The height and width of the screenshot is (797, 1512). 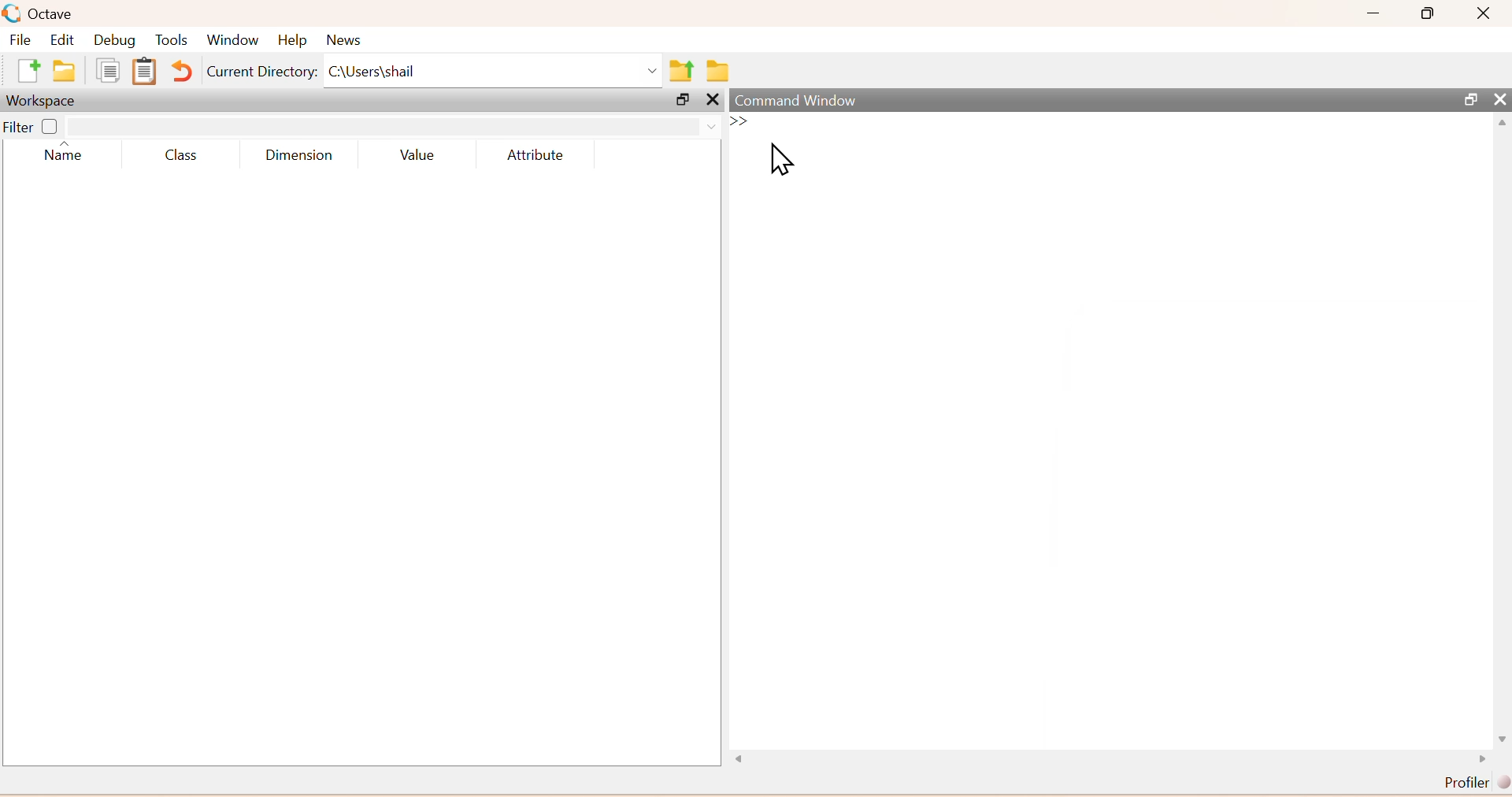 I want to click on new script, so click(x=31, y=71).